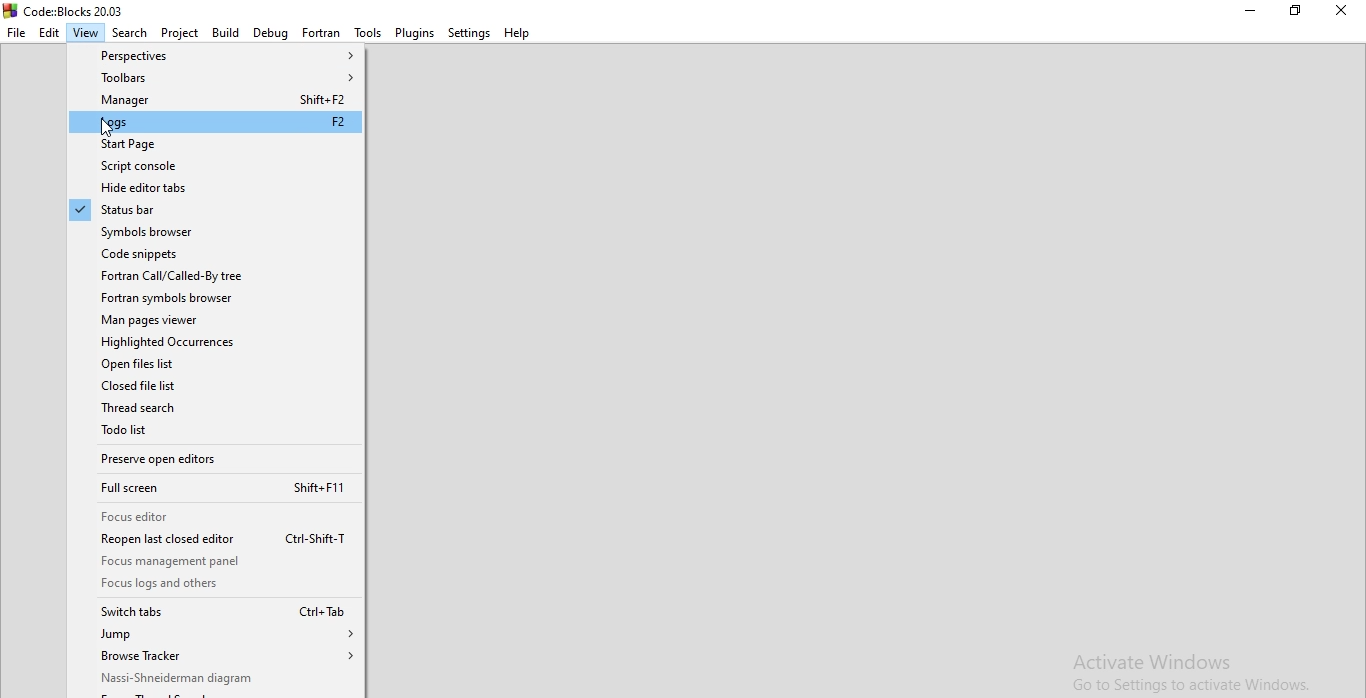  I want to click on jump, so click(217, 635).